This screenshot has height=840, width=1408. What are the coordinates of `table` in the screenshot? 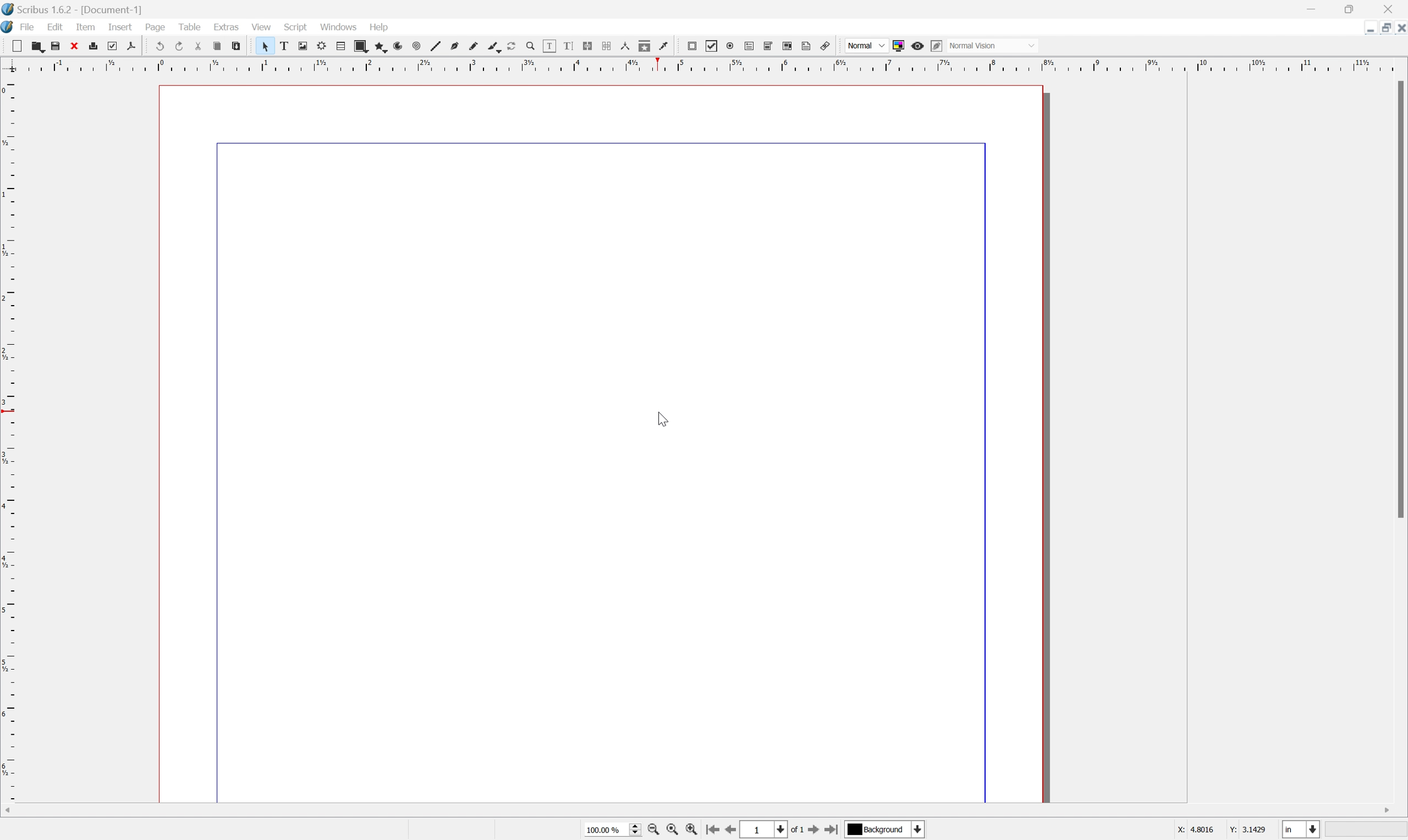 It's located at (341, 47).